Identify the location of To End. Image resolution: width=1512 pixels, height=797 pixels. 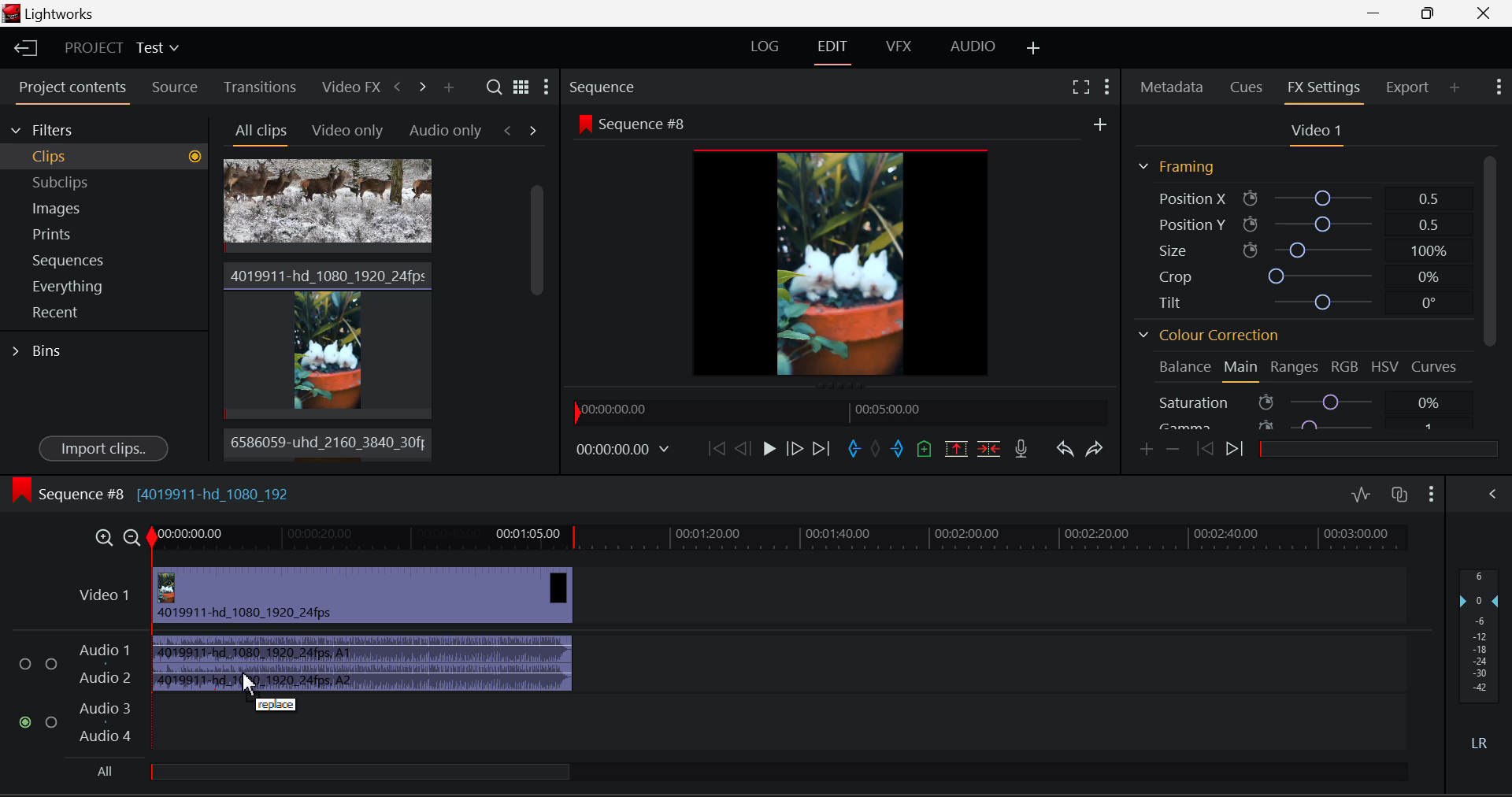
(822, 450).